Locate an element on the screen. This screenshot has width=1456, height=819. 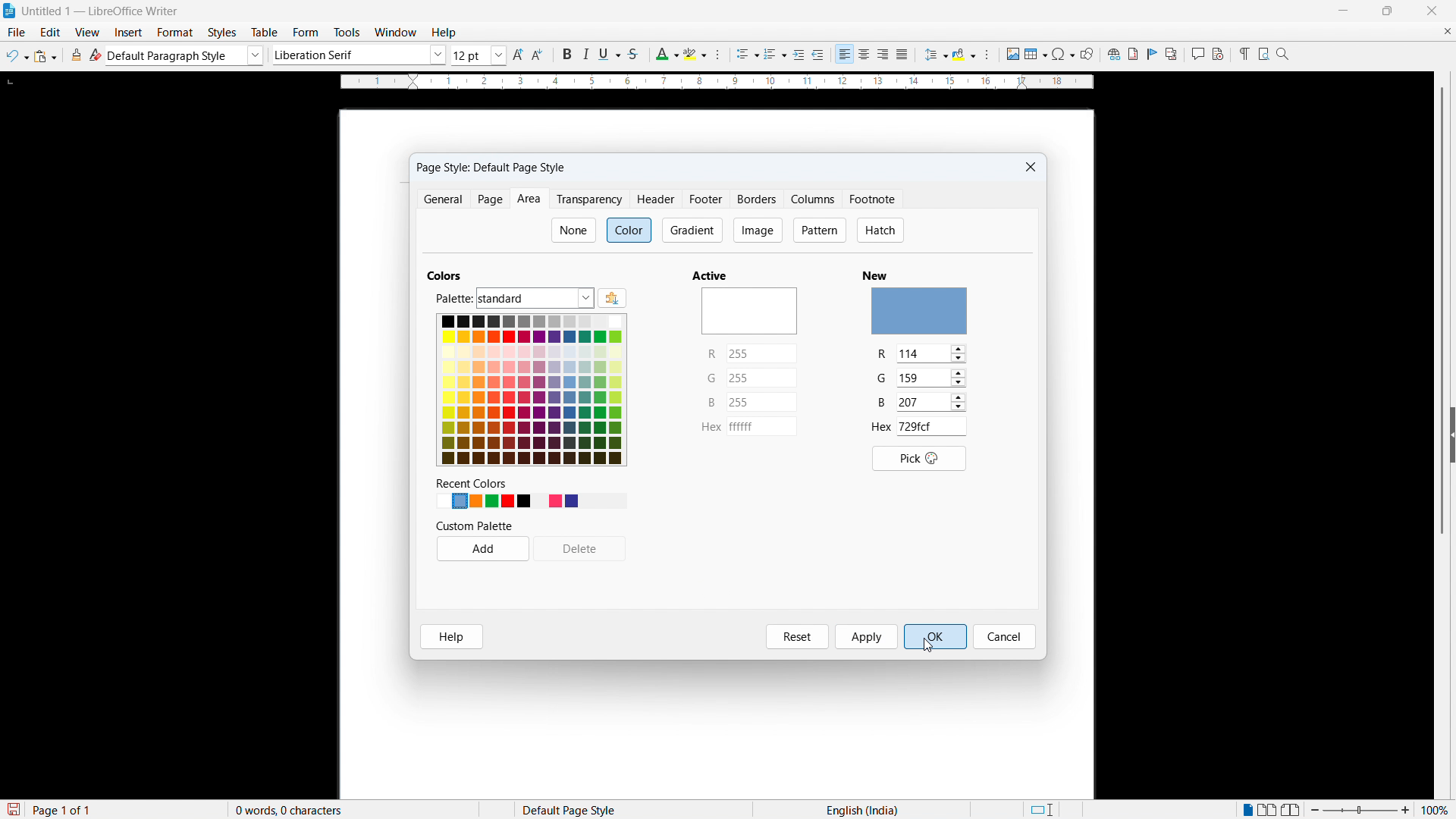
Untitled 1 - libreoffice writer is located at coordinates (100, 12).